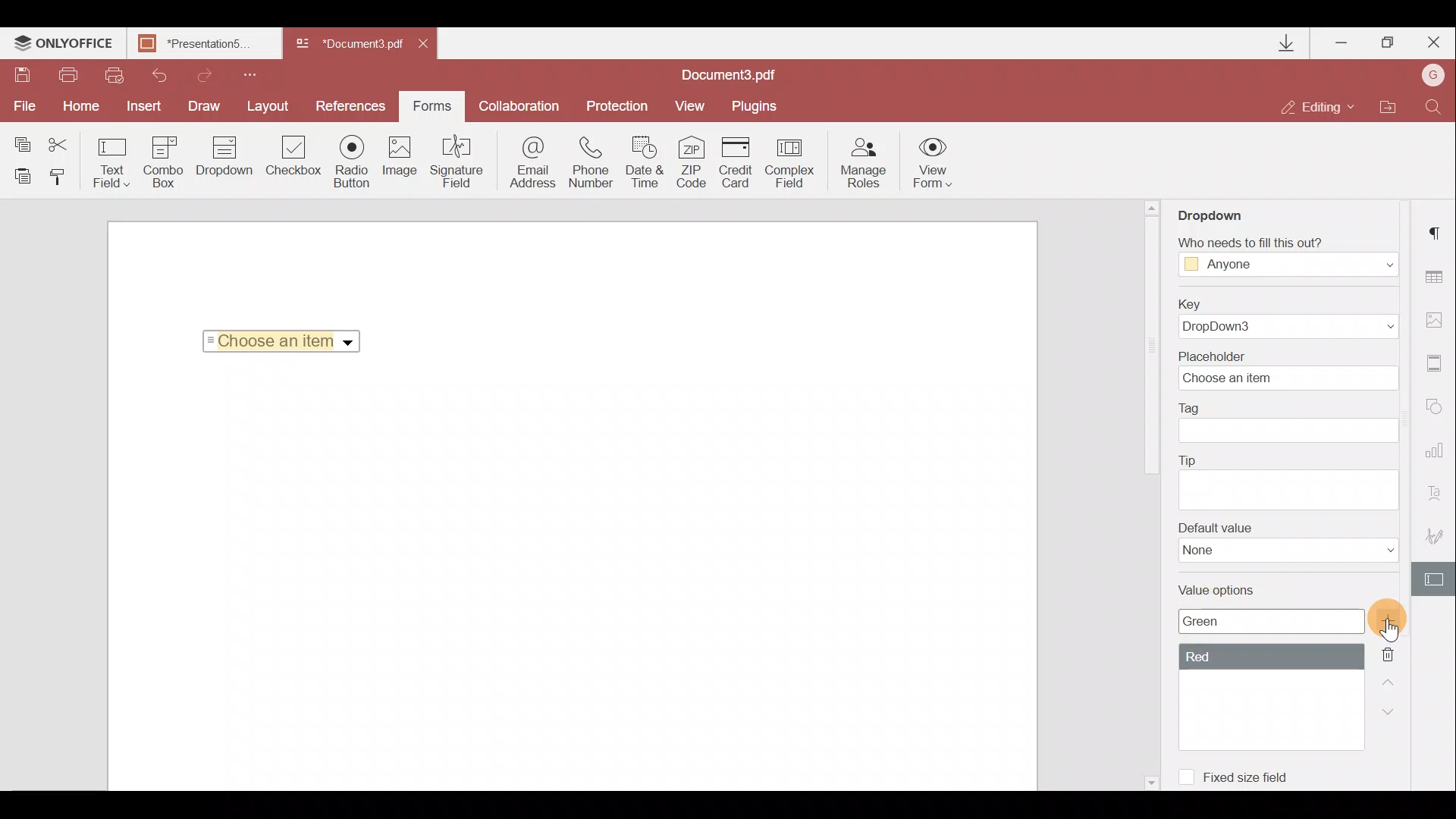 This screenshot has width=1456, height=819. What do you see at coordinates (162, 162) in the screenshot?
I see `Combo box` at bounding box center [162, 162].